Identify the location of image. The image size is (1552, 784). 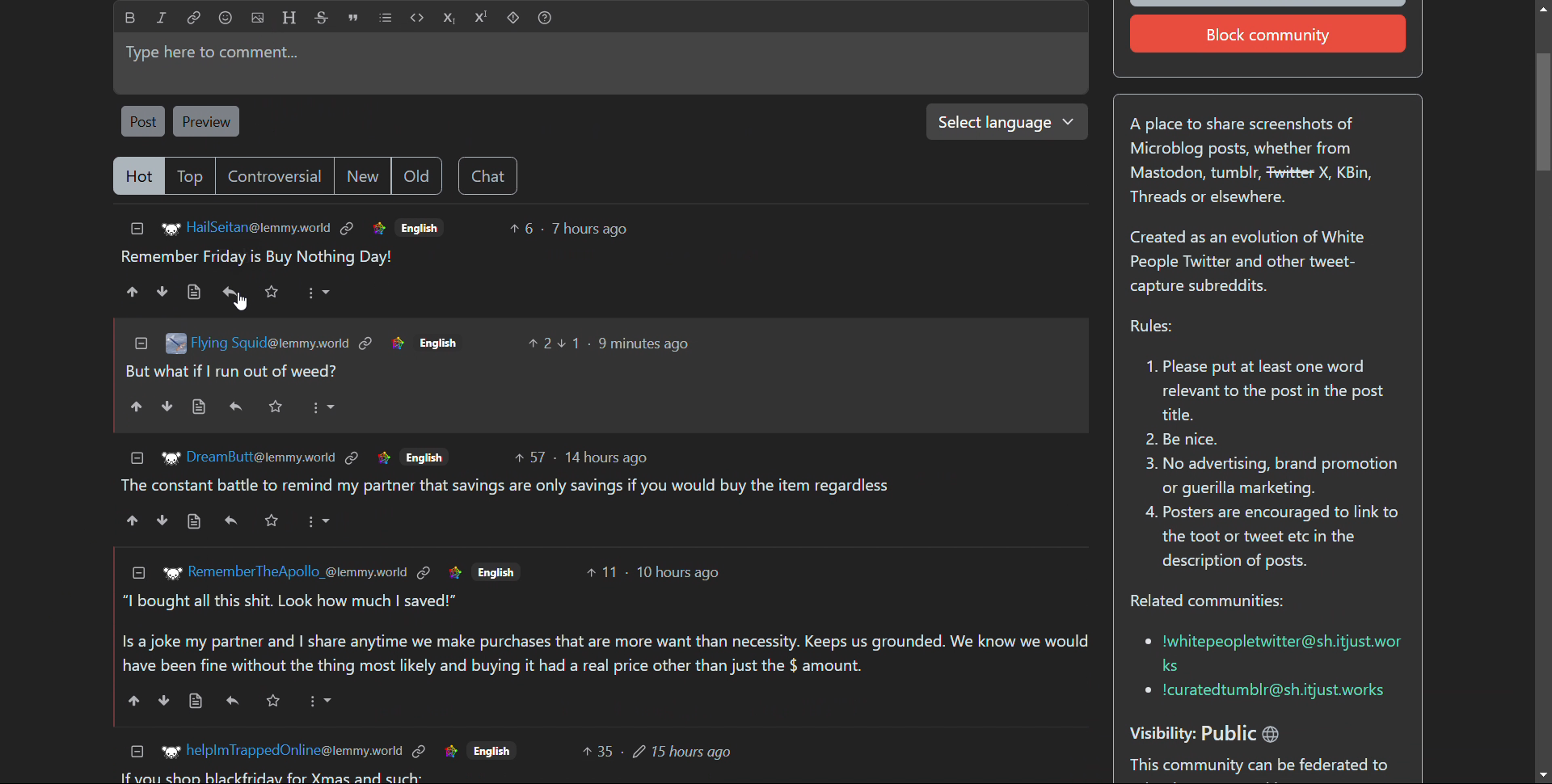
(175, 340).